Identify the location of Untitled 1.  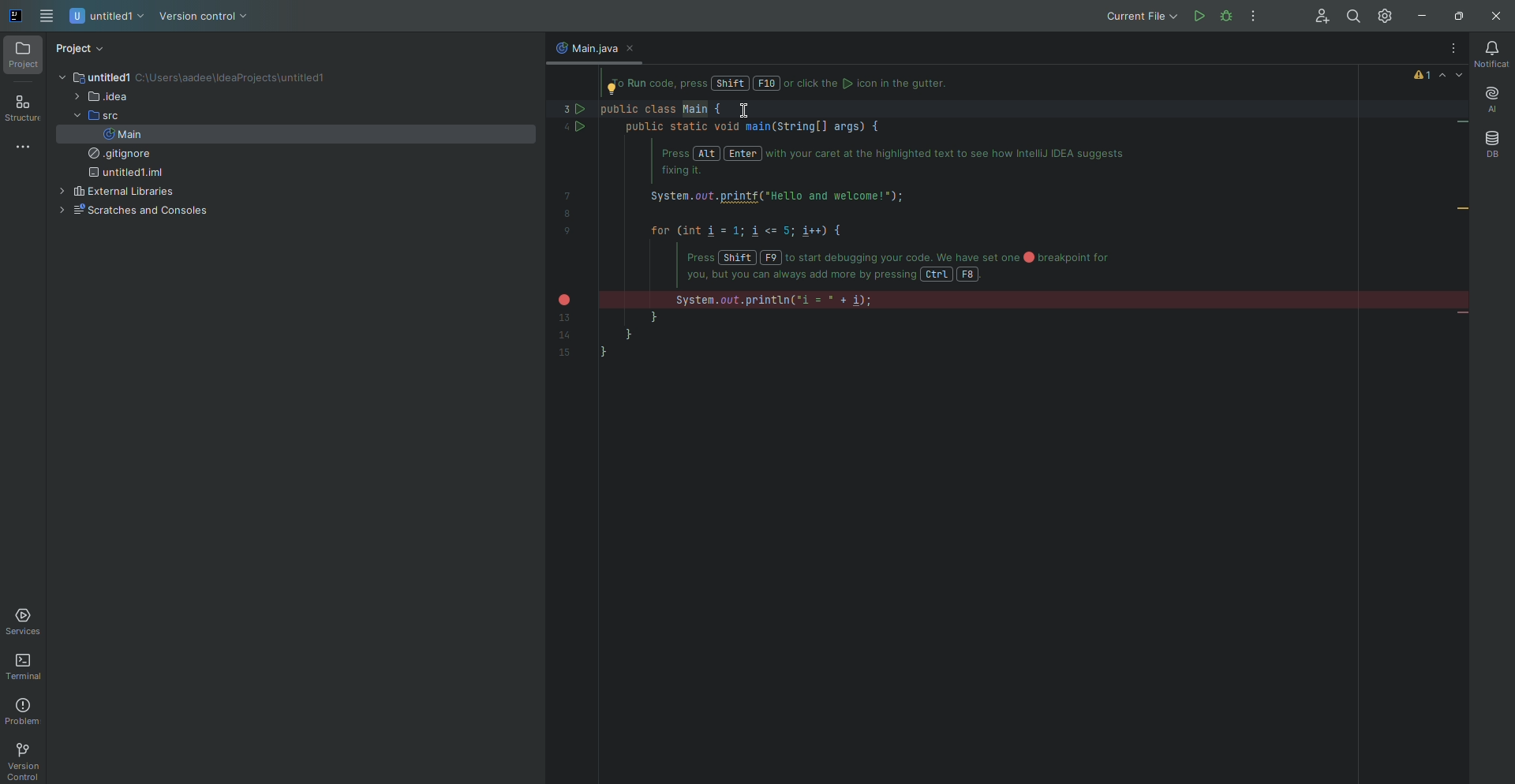
(92, 77).